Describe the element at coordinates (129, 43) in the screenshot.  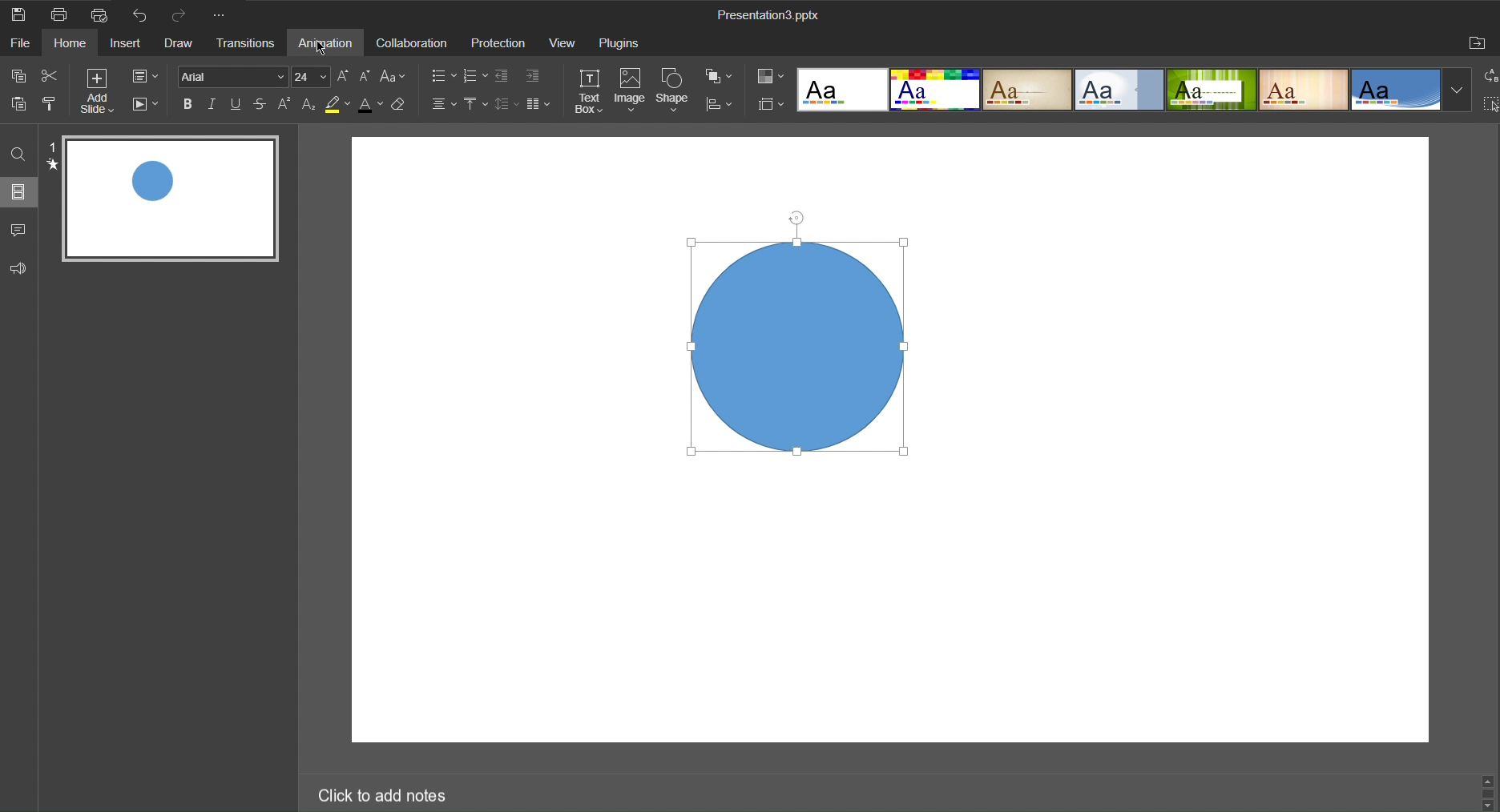
I see `Insert` at that location.